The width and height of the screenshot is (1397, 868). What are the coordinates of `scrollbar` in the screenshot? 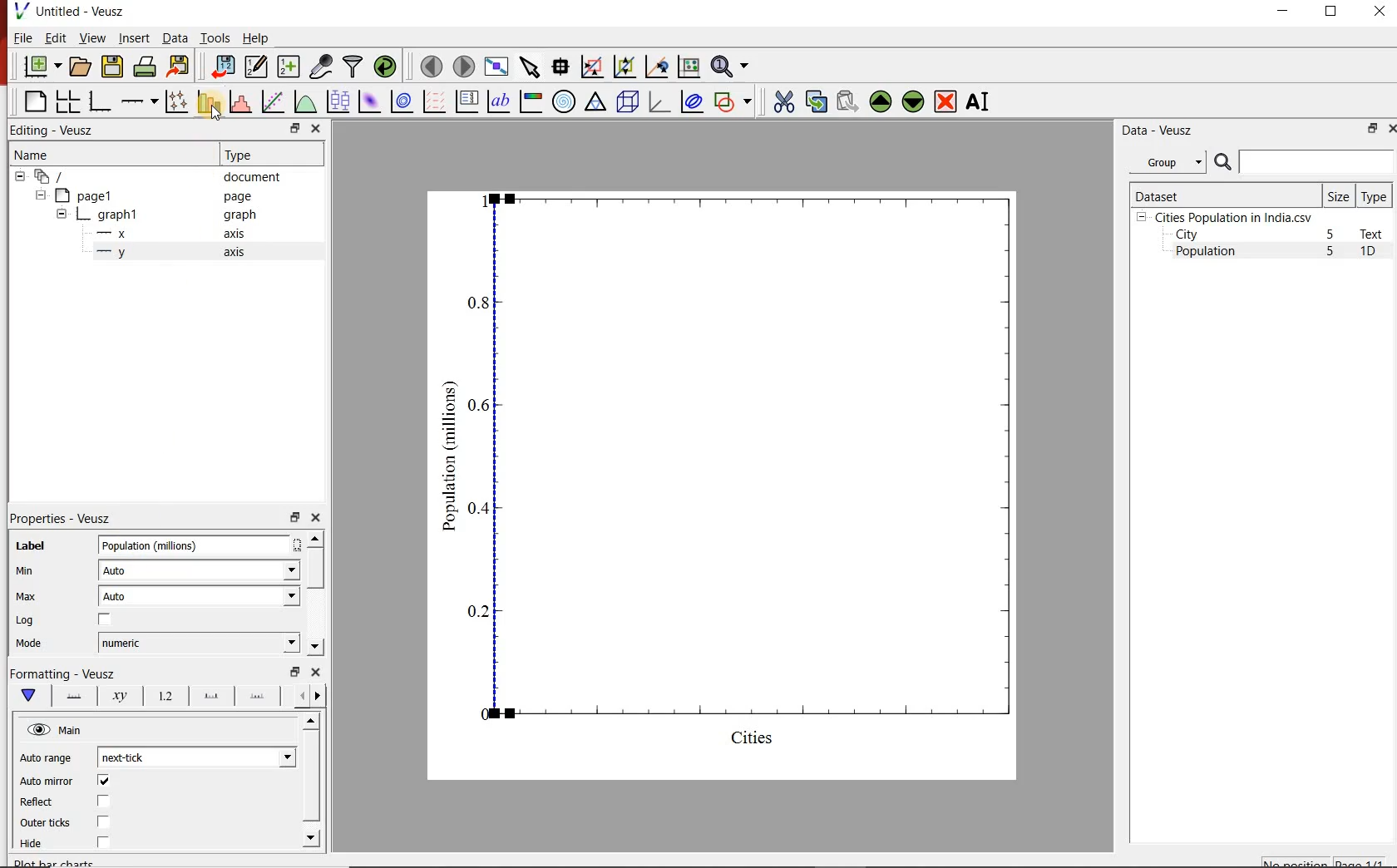 It's located at (313, 782).